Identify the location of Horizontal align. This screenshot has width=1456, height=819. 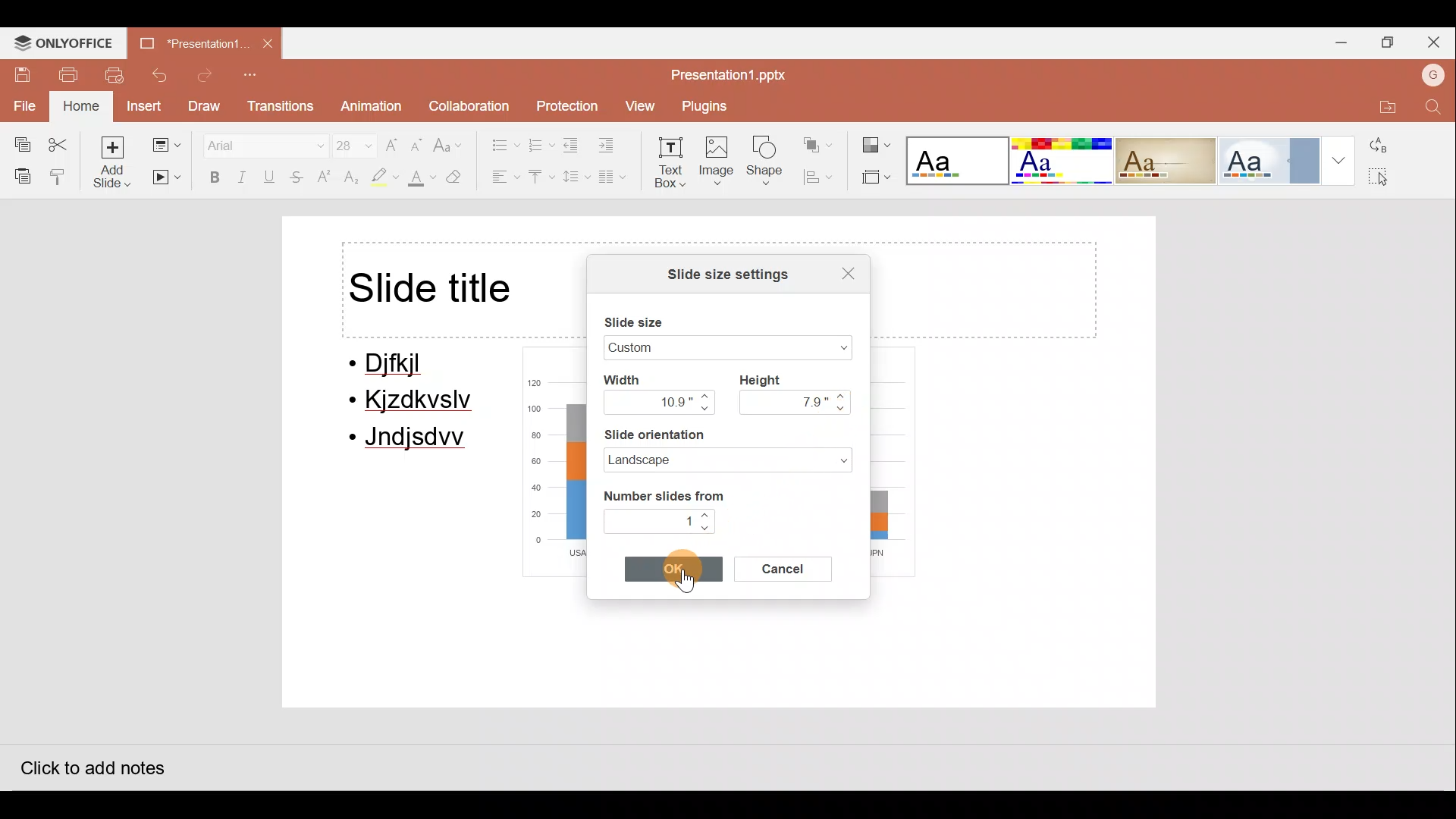
(501, 178).